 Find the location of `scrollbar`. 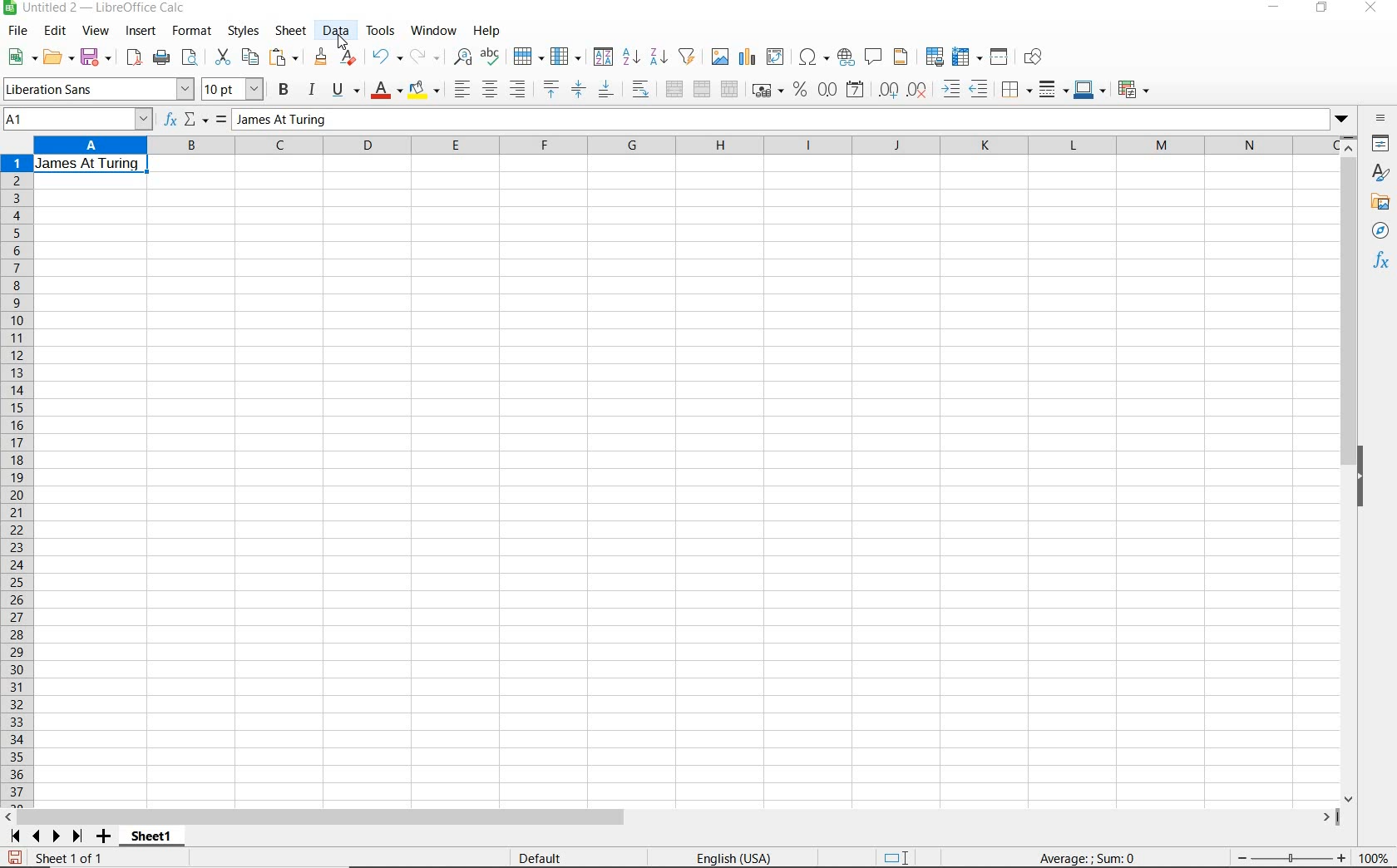

scrollbar is located at coordinates (1350, 469).